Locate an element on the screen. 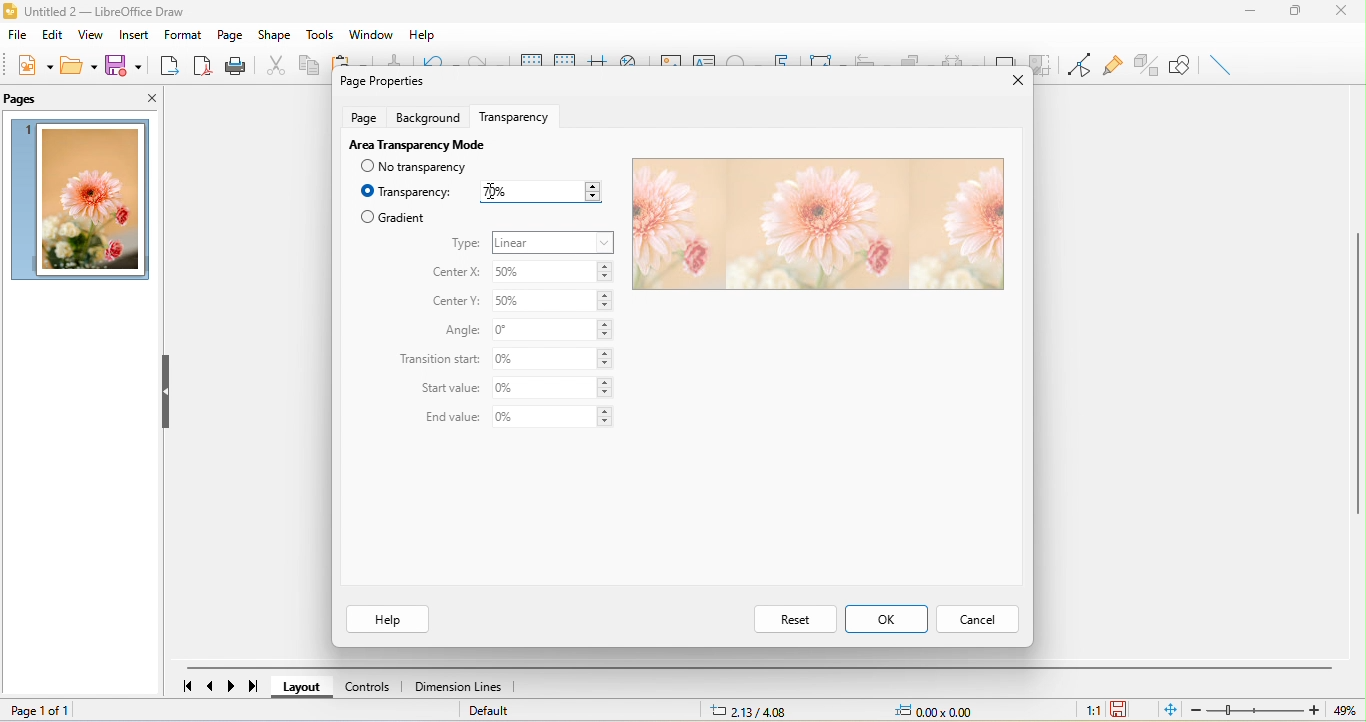  0% is located at coordinates (554, 330).